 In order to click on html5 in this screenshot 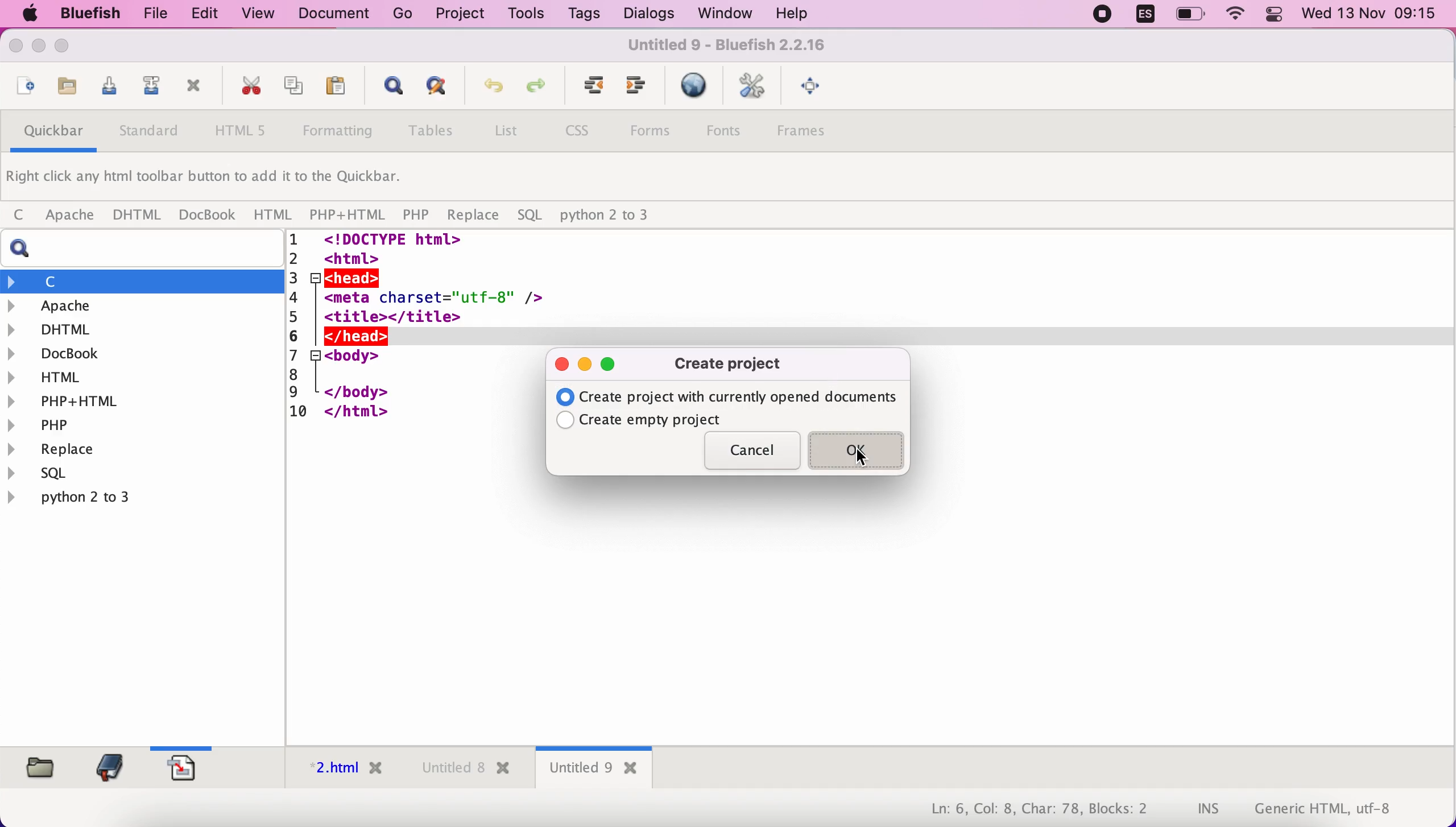, I will do `click(243, 132)`.